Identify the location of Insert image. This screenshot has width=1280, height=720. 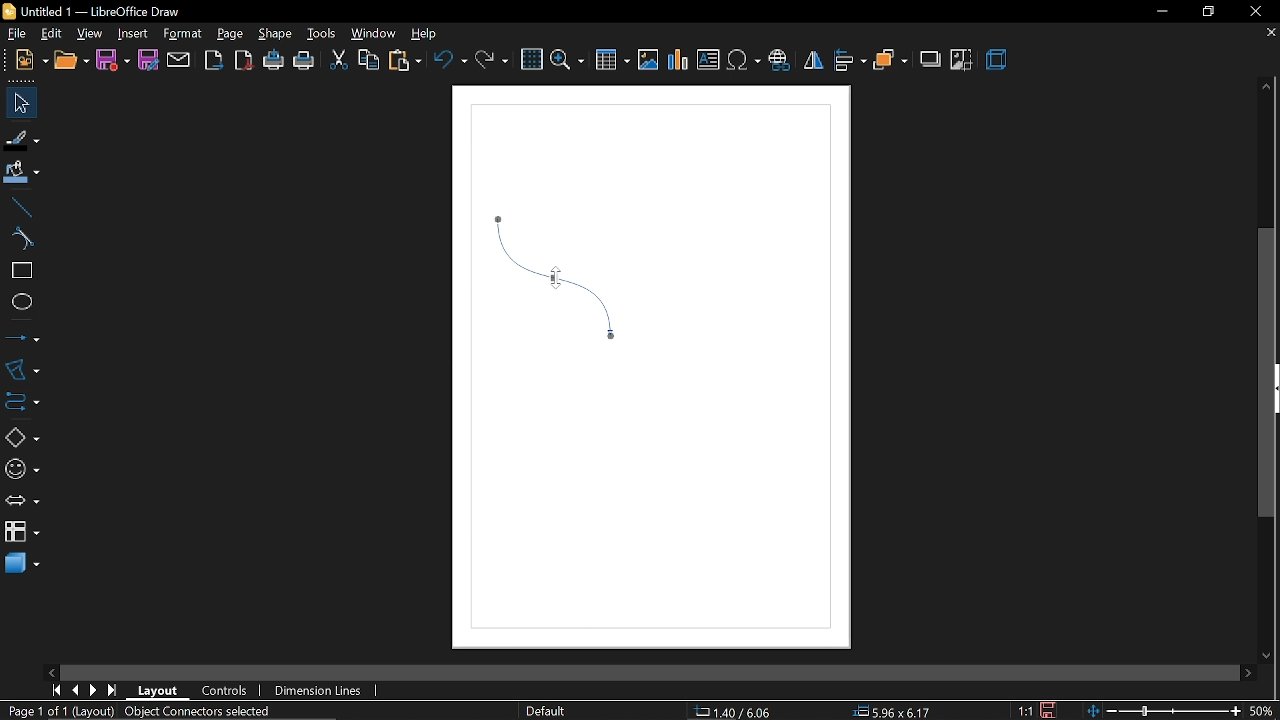
(649, 61).